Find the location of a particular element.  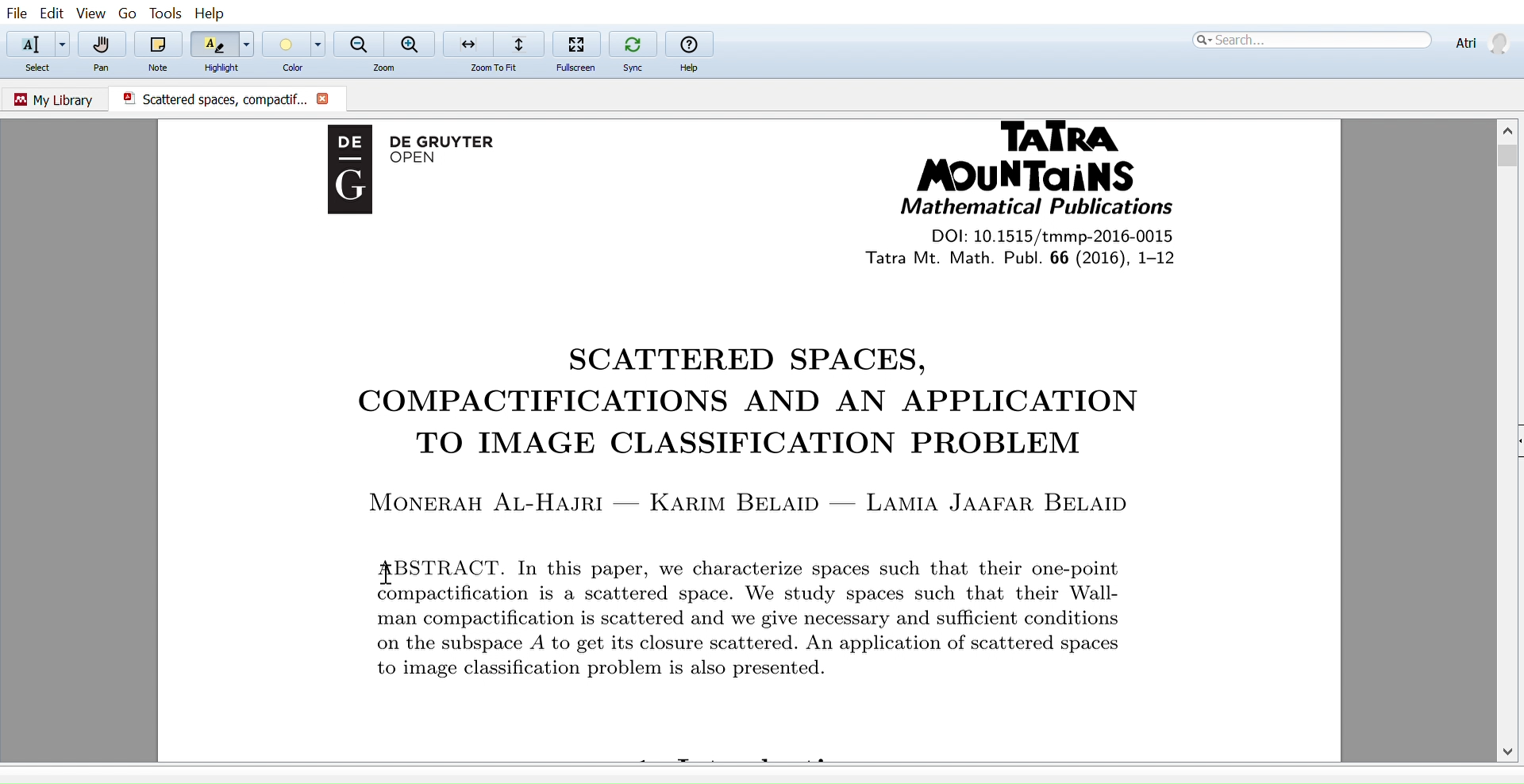

Select is located at coordinates (44, 69).